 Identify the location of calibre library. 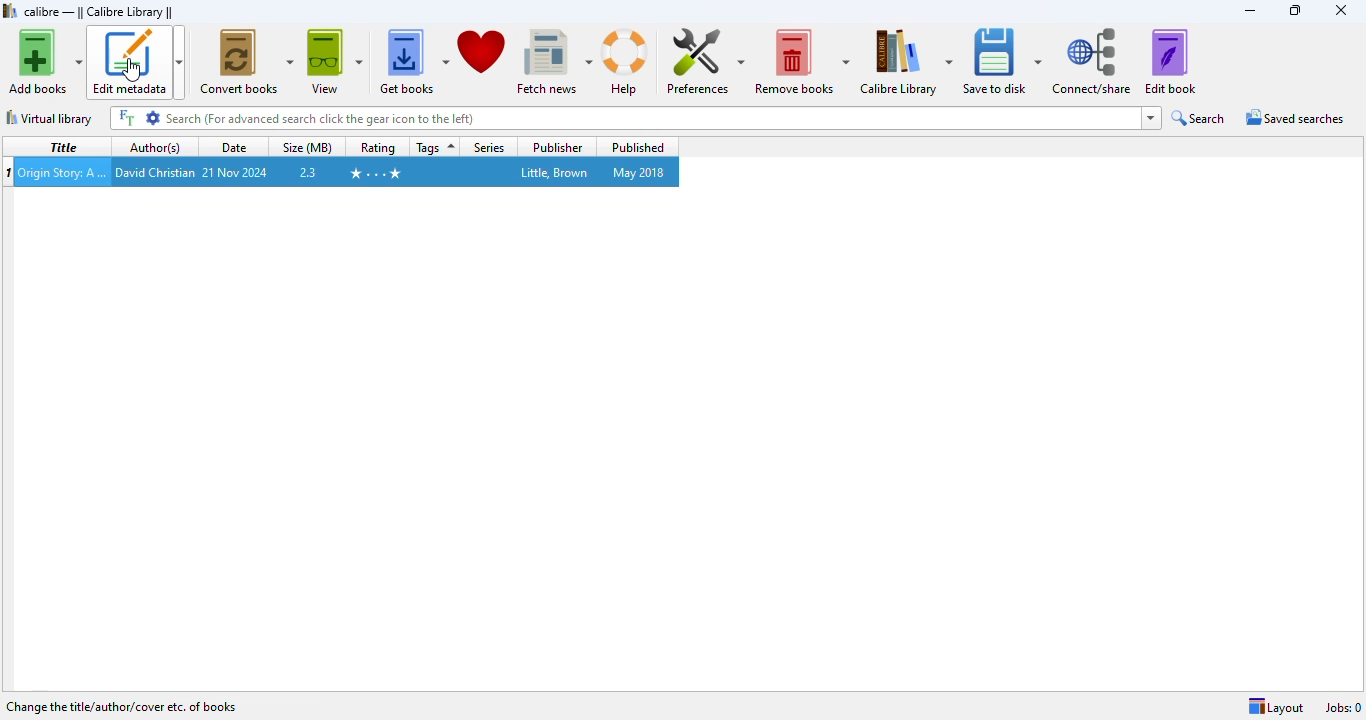
(905, 61).